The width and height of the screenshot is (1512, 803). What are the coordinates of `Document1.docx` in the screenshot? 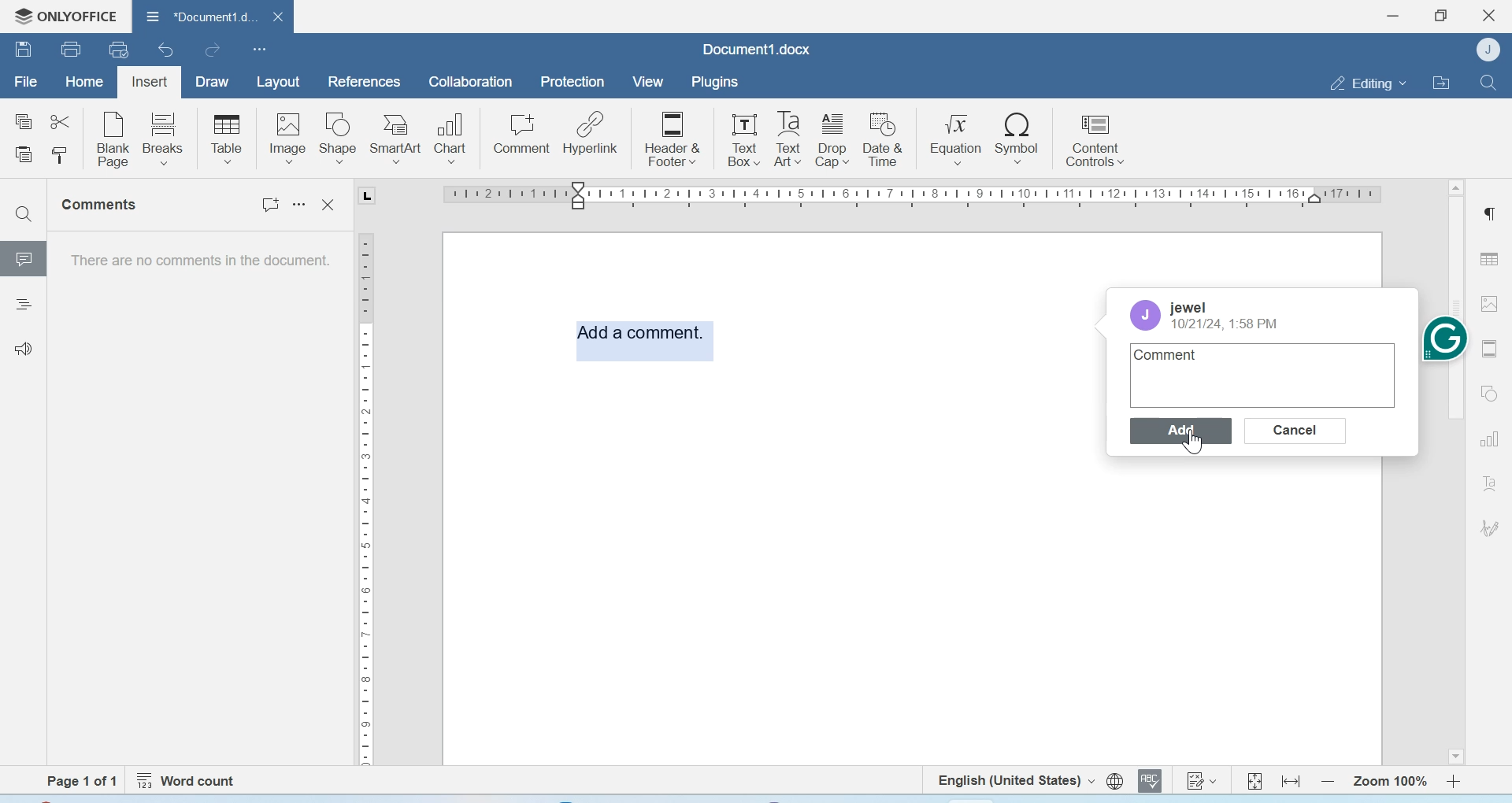 It's located at (757, 49).